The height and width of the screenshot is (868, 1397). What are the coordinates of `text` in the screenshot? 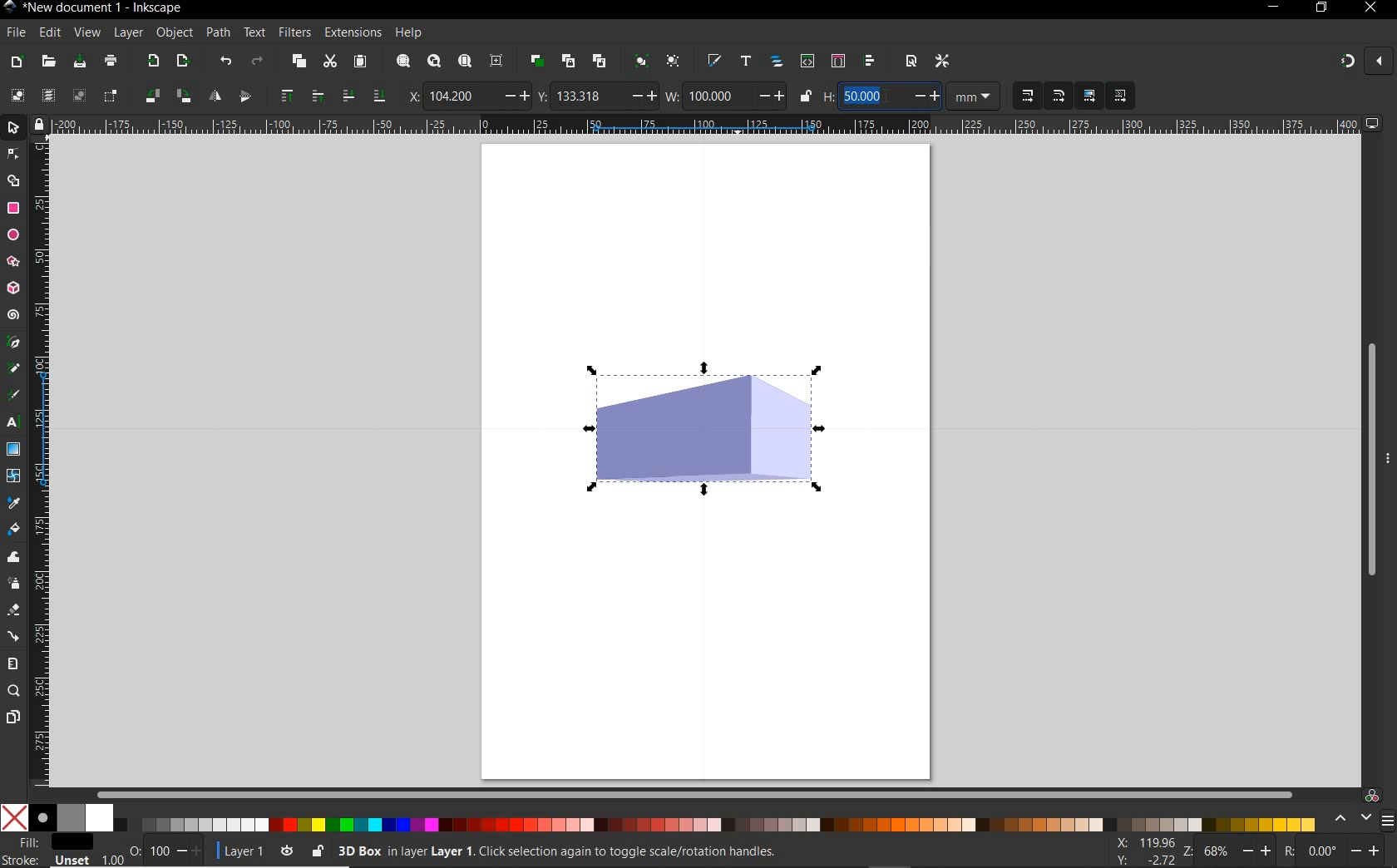 It's located at (254, 32).